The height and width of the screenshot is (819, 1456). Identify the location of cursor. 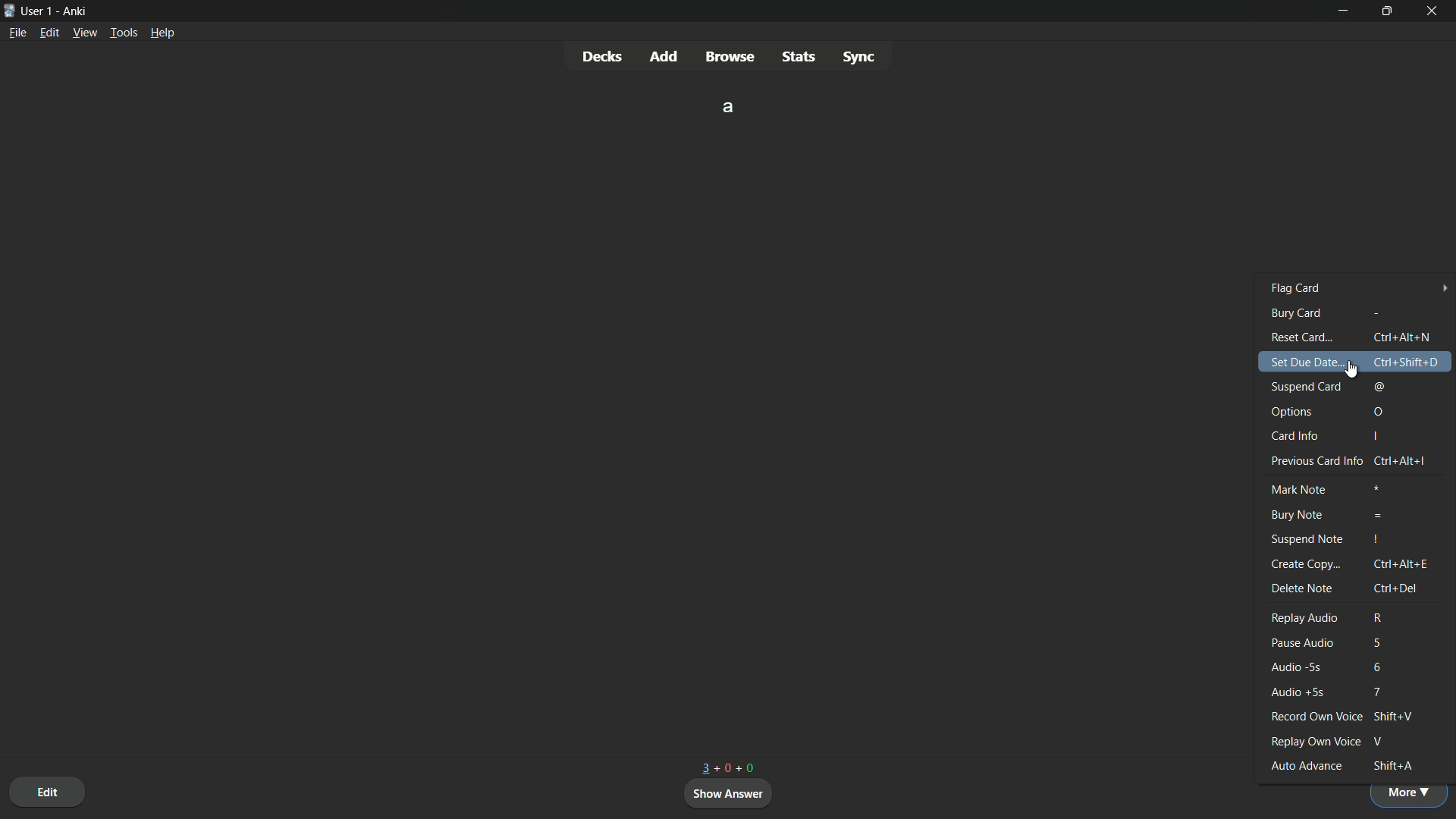
(1352, 369).